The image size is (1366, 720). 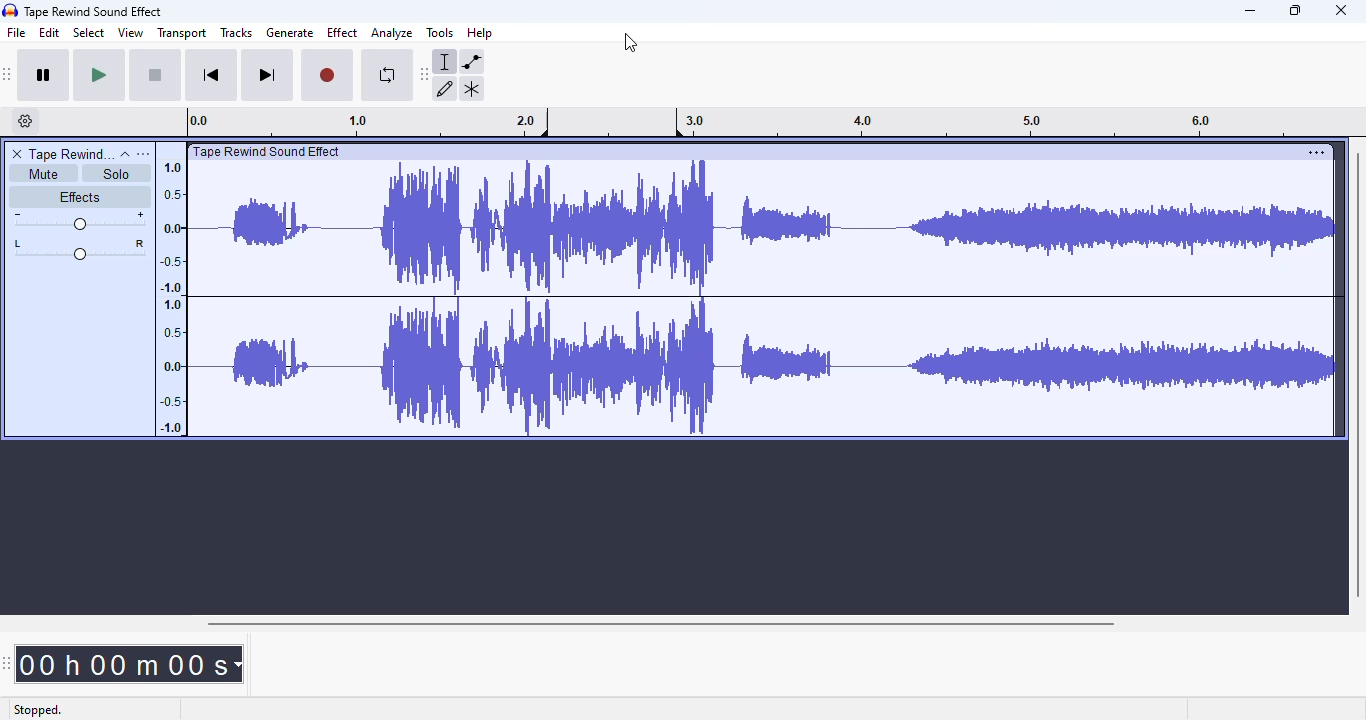 I want to click on transport, so click(x=181, y=34).